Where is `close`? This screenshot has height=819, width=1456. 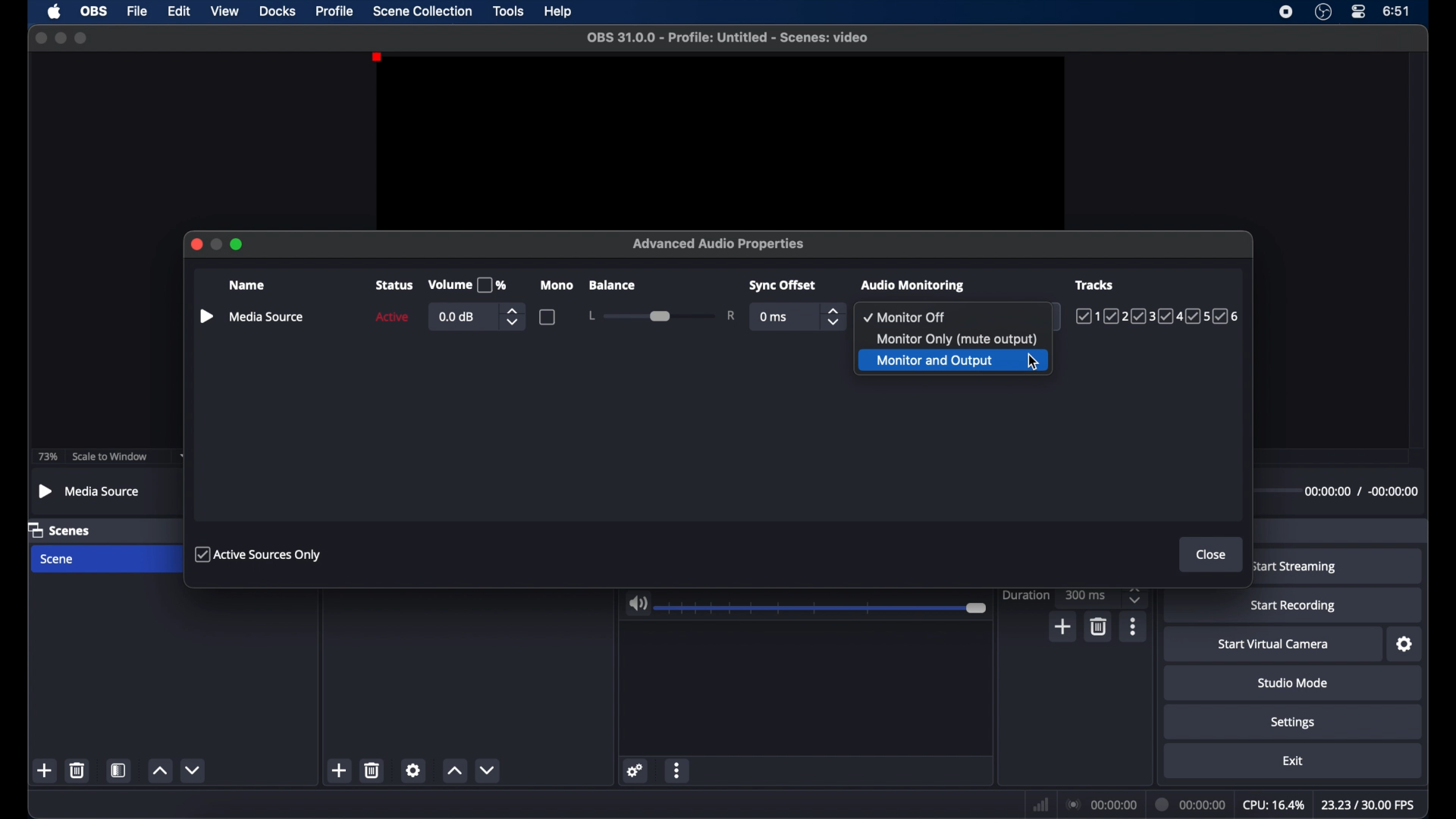 close is located at coordinates (1212, 554).